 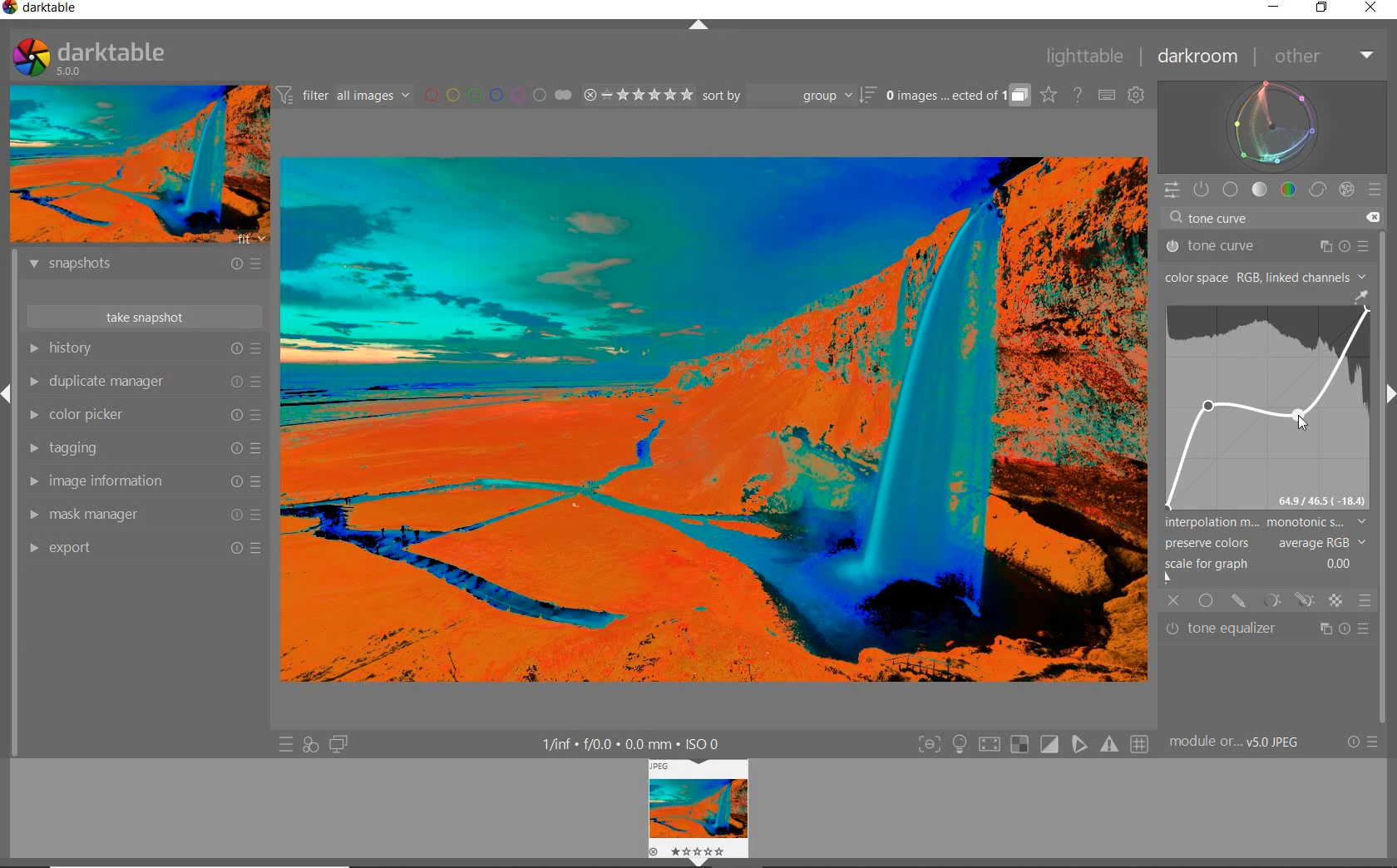 What do you see at coordinates (1389, 395) in the screenshot?
I see `Expand/Collapse` at bounding box center [1389, 395].